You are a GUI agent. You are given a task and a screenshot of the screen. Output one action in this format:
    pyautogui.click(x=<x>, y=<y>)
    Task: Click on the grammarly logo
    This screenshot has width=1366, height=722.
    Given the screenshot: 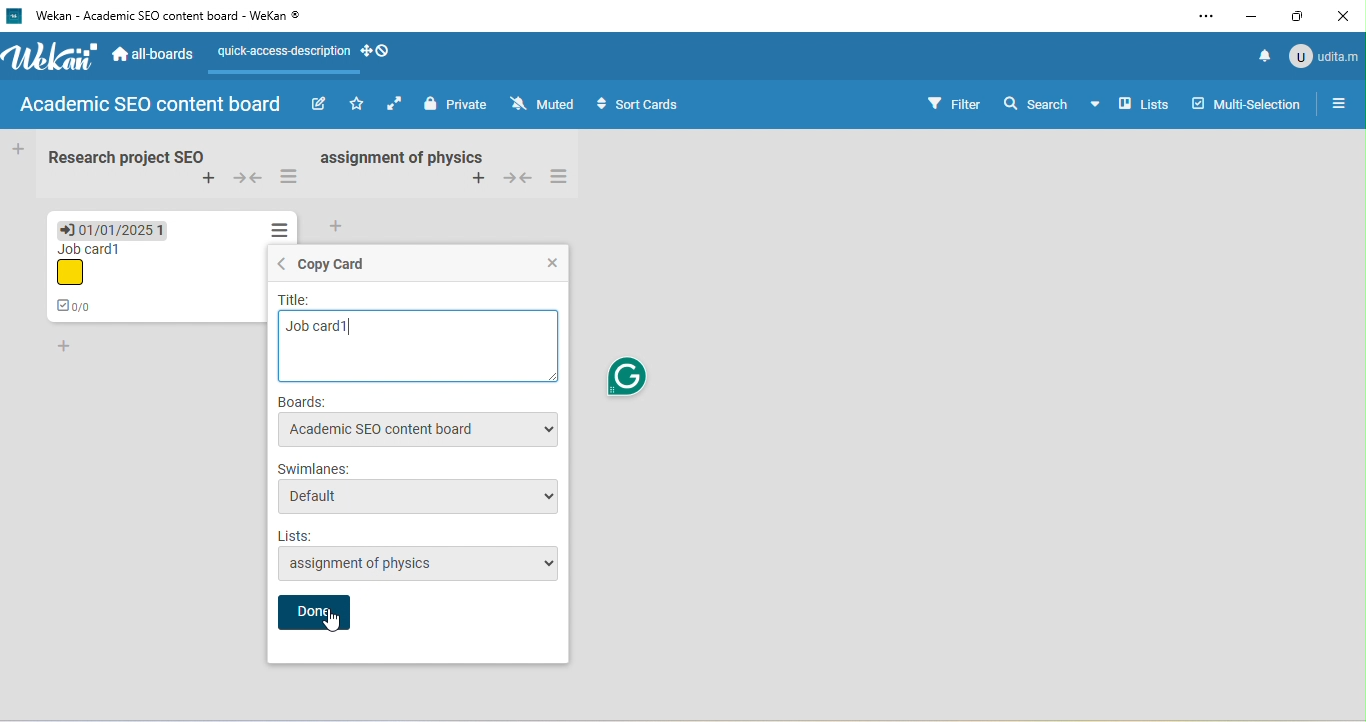 What is the action you would take?
    pyautogui.click(x=627, y=377)
    